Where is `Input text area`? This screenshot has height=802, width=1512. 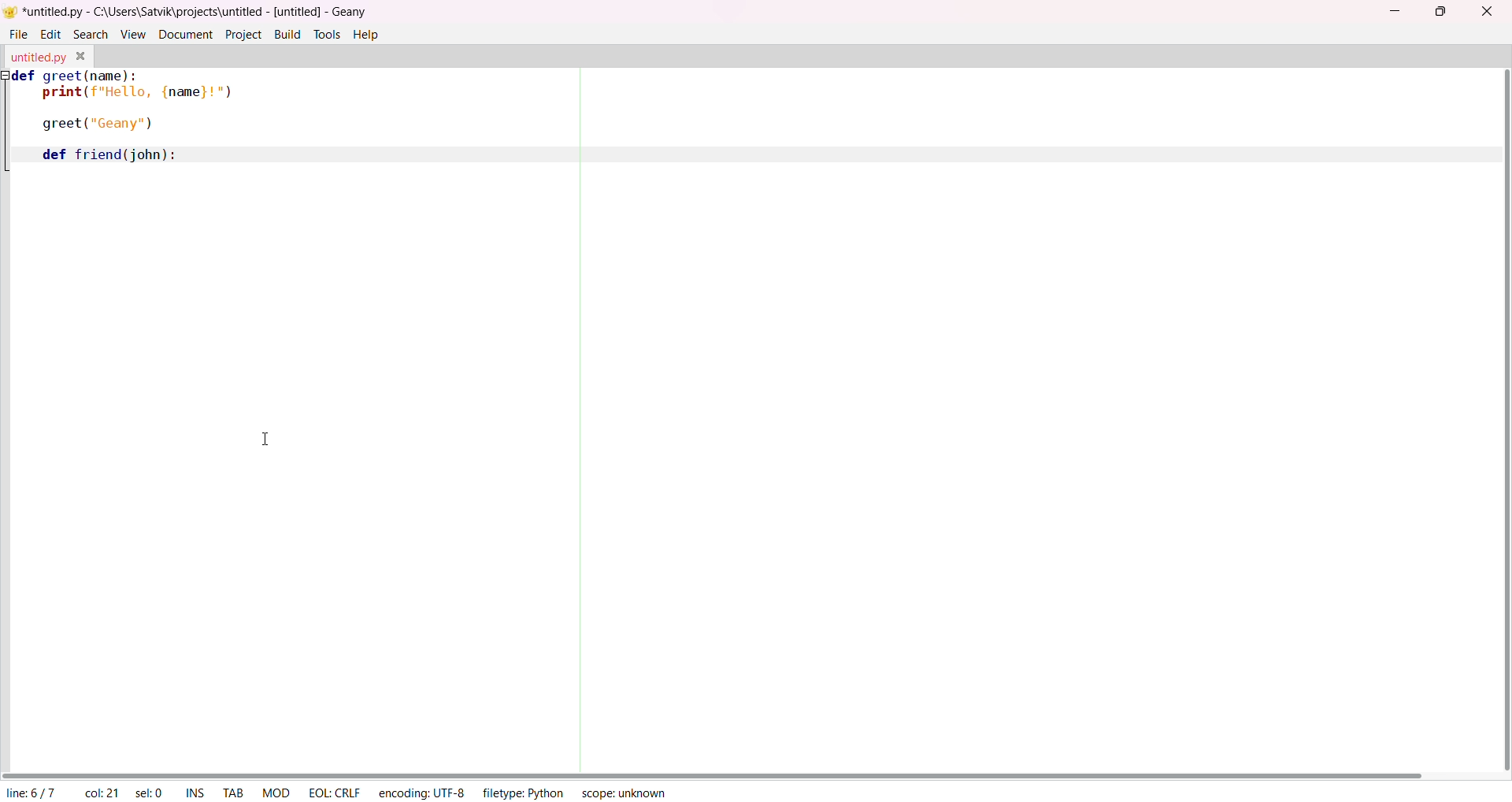
Input text area is located at coordinates (278, 468).